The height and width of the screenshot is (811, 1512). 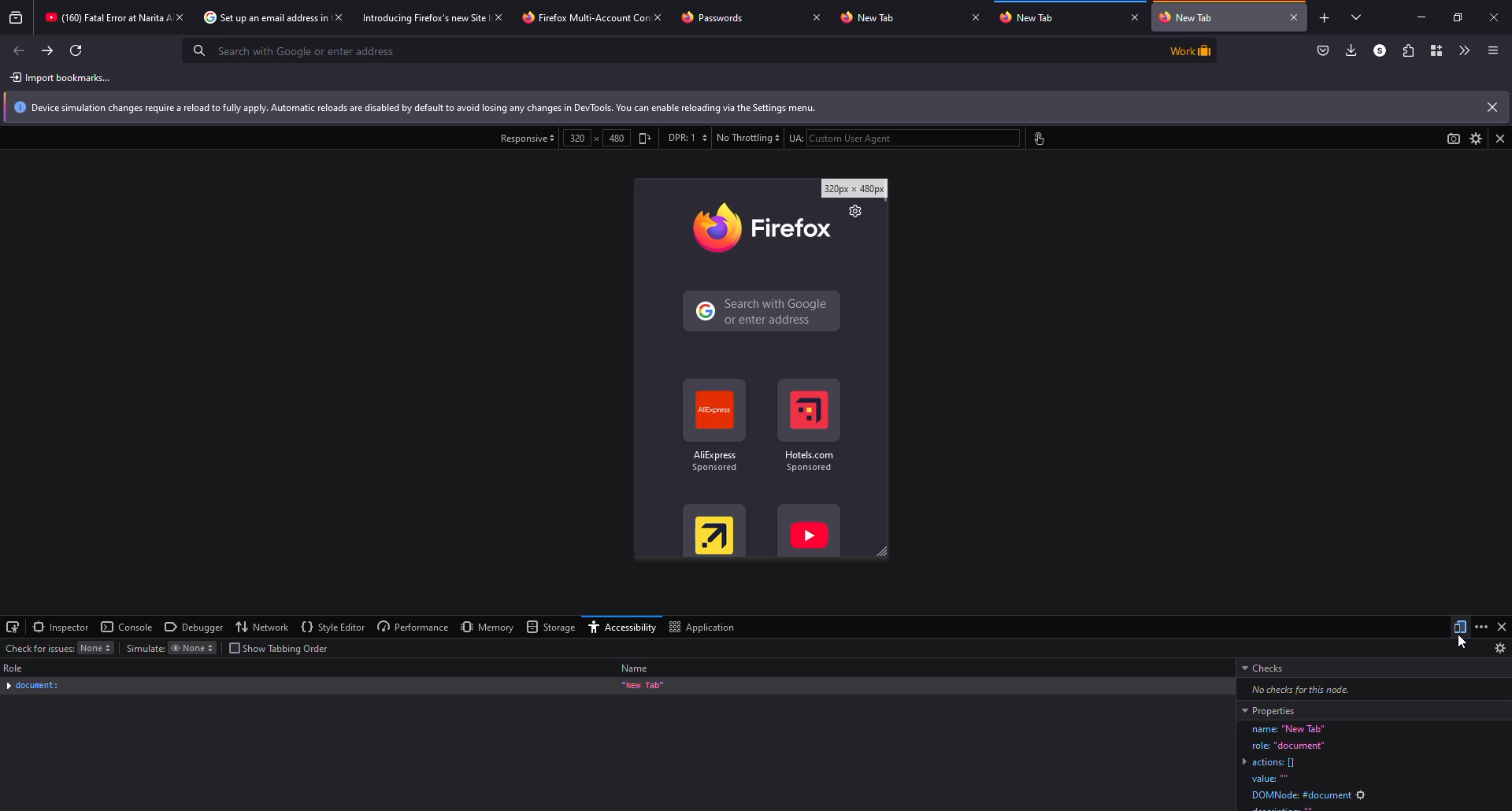 What do you see at coordinates (643, 686) in the screenshot?
I see `new tab` at bounding box center [643, 686].